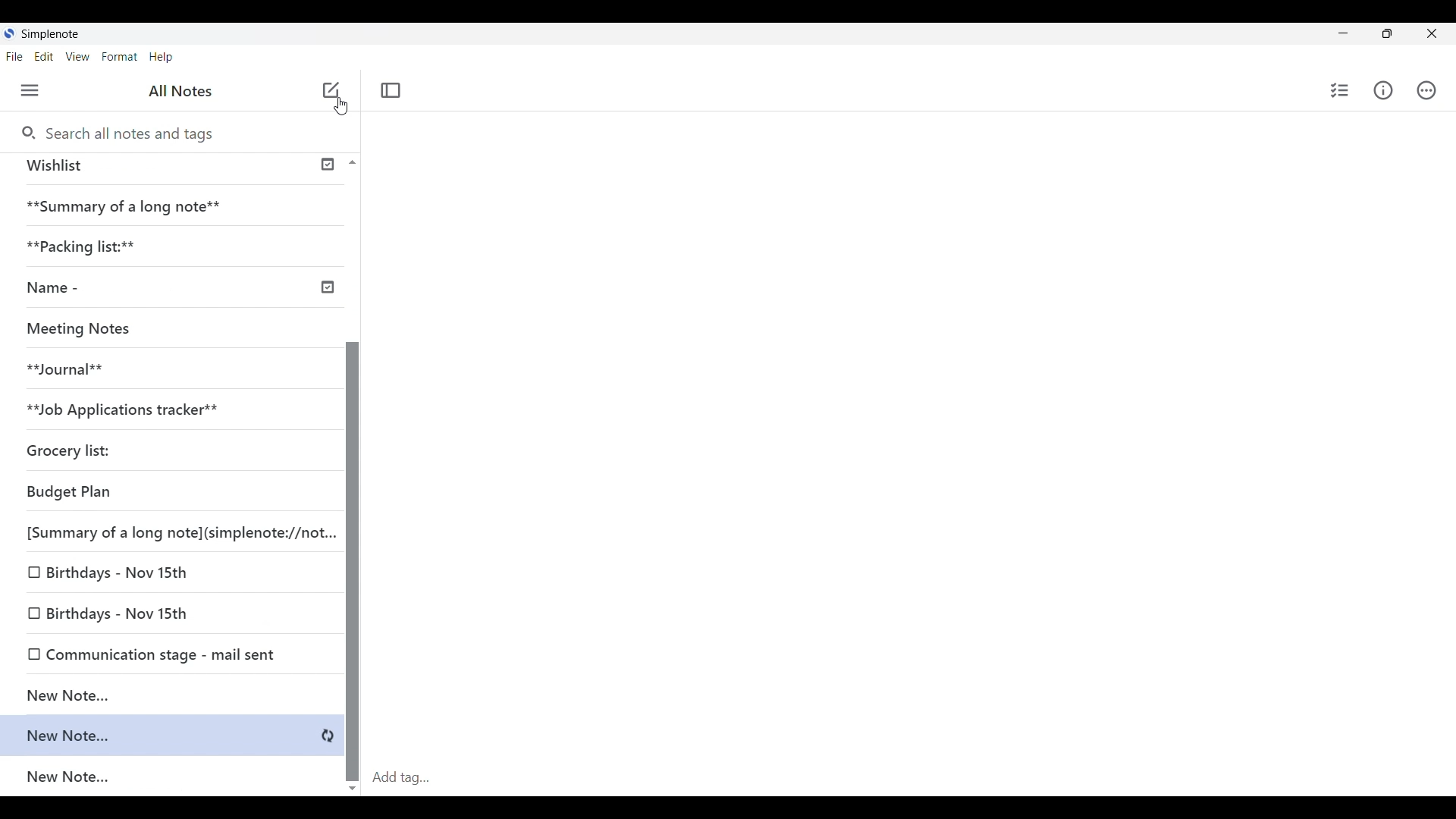 Image resolution: width=1456 pixels, height=819 pixels. What do you see at coordinates (132, 206) in the screenshot?
I see `**Summary of a long note**` at bounding box center [132, 206].